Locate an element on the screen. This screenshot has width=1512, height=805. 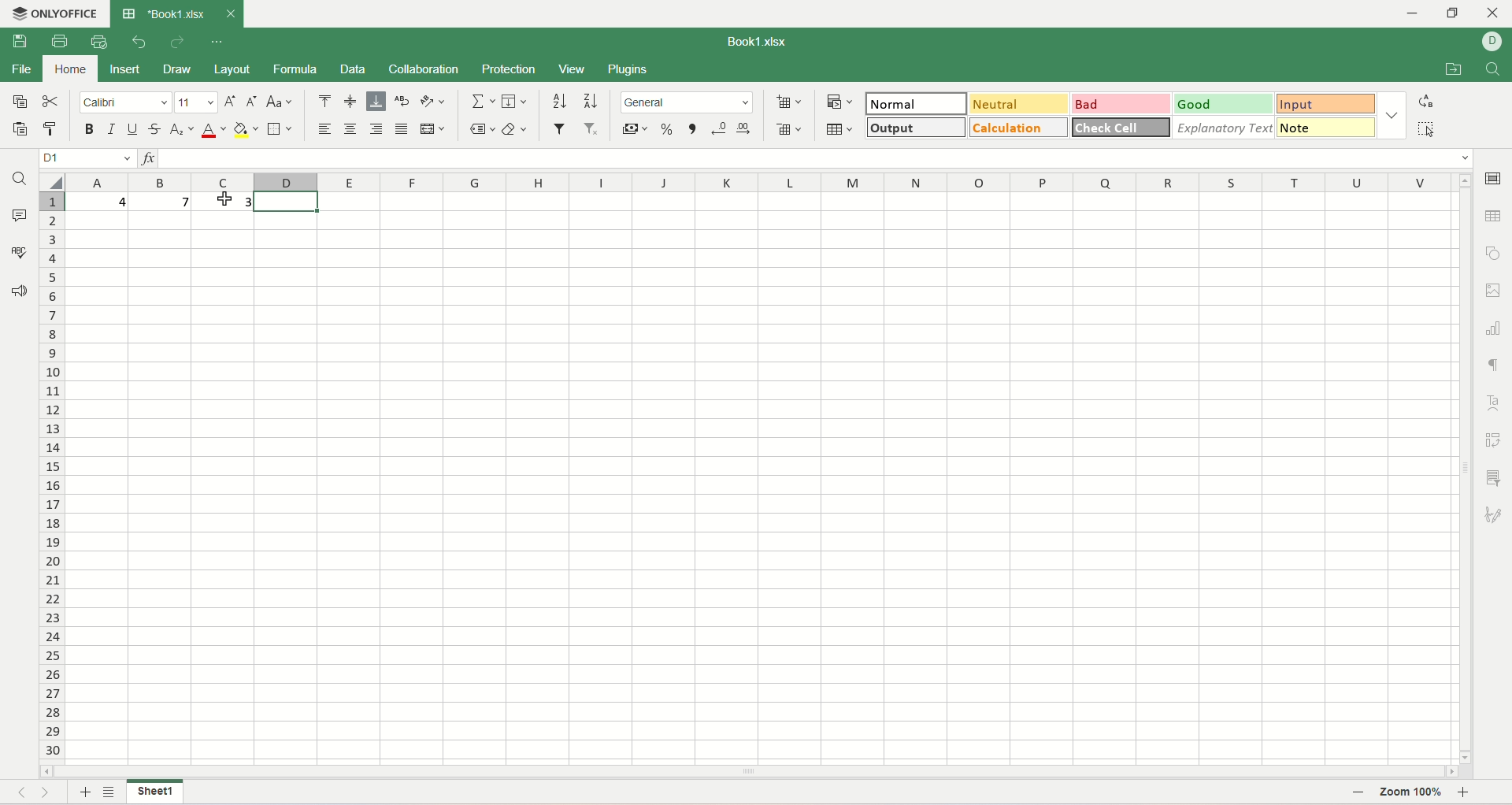
draw is located at coordinates (176, 70).